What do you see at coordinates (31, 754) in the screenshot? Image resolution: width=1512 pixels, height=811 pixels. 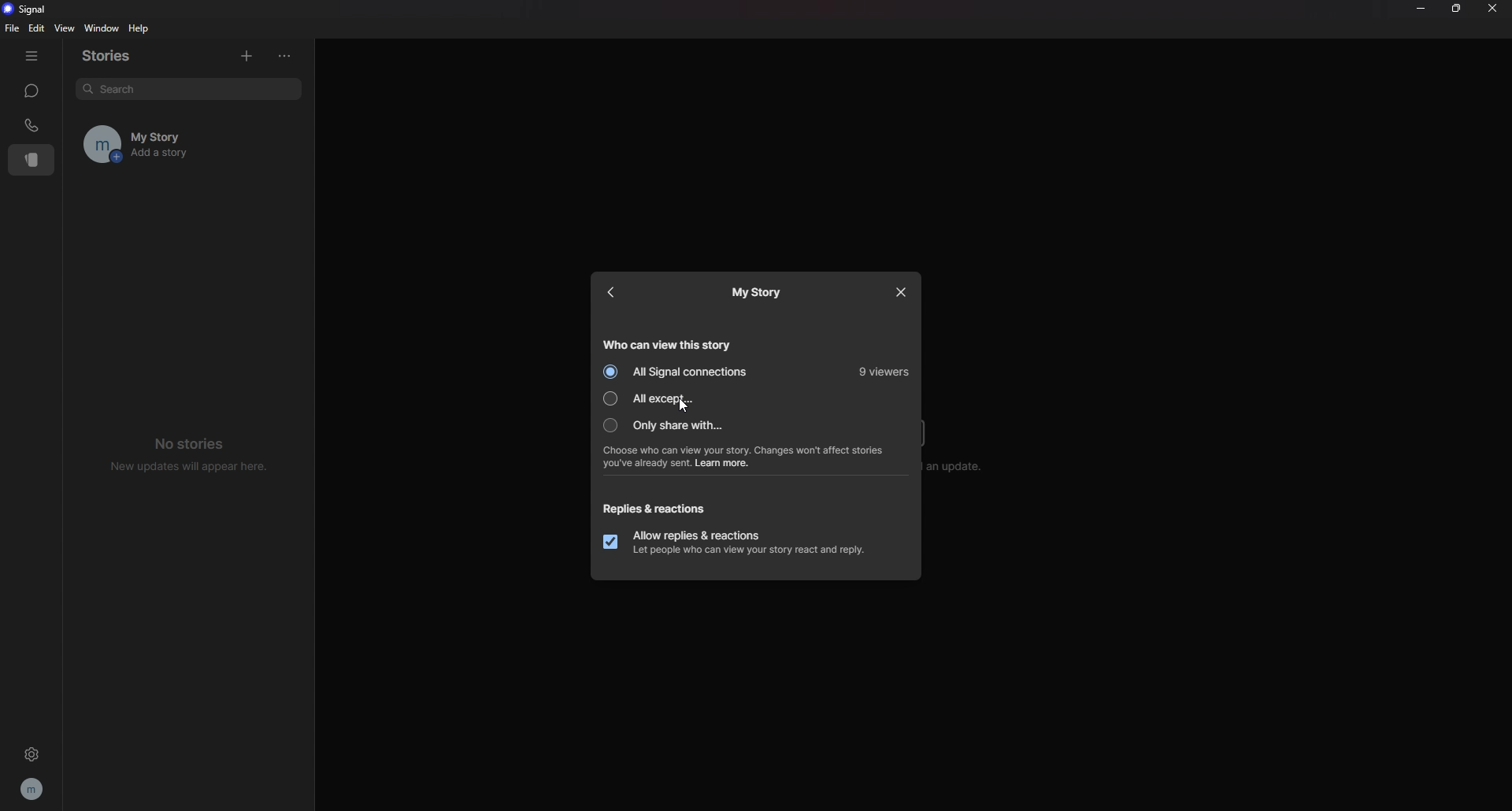 I see `settings` at bounding box center [31, 754].